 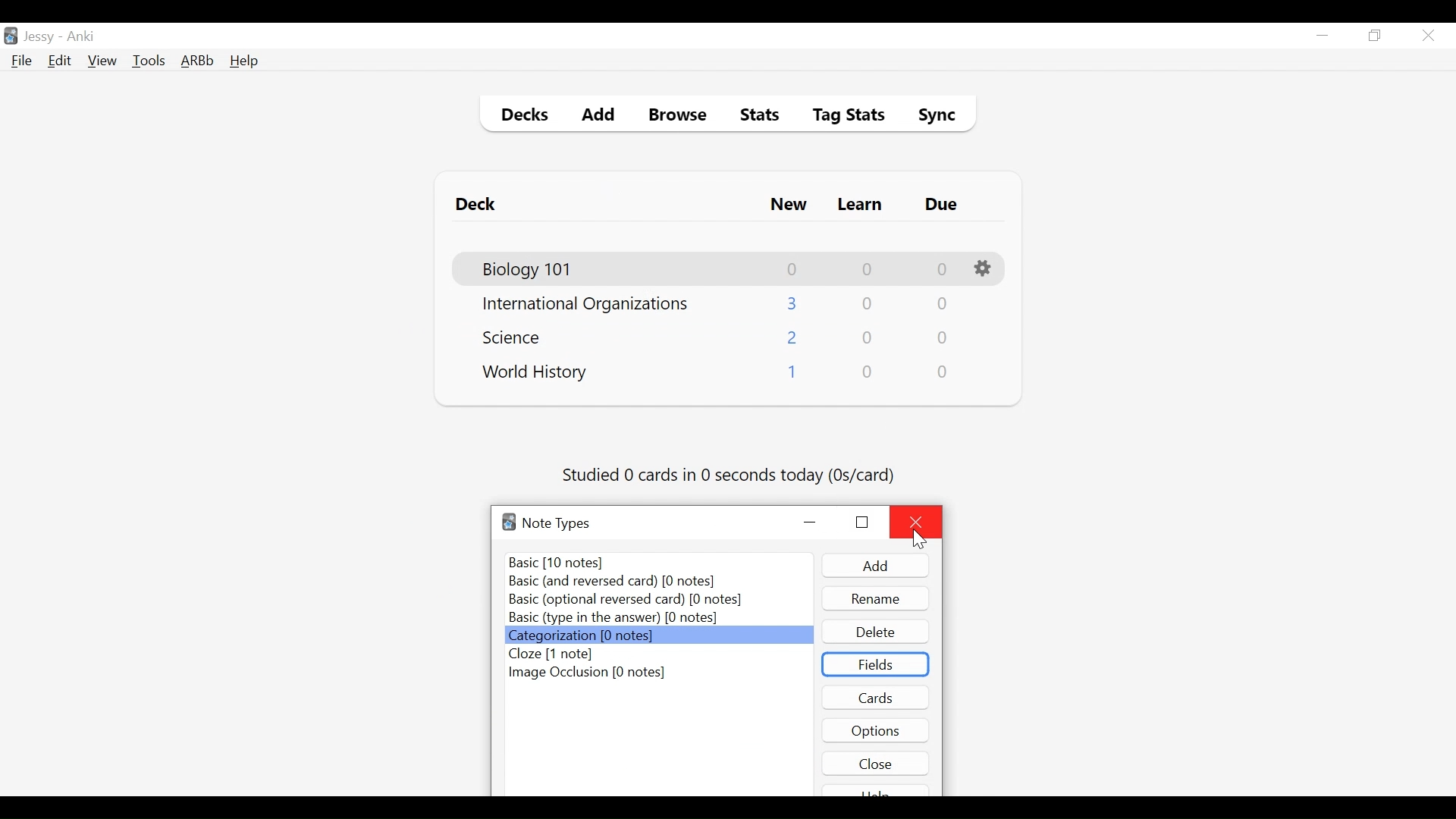 What do you see at coordinates (944, 372) in the screenshot?
I see `Due Card Count` at bounding box center [944, 372].